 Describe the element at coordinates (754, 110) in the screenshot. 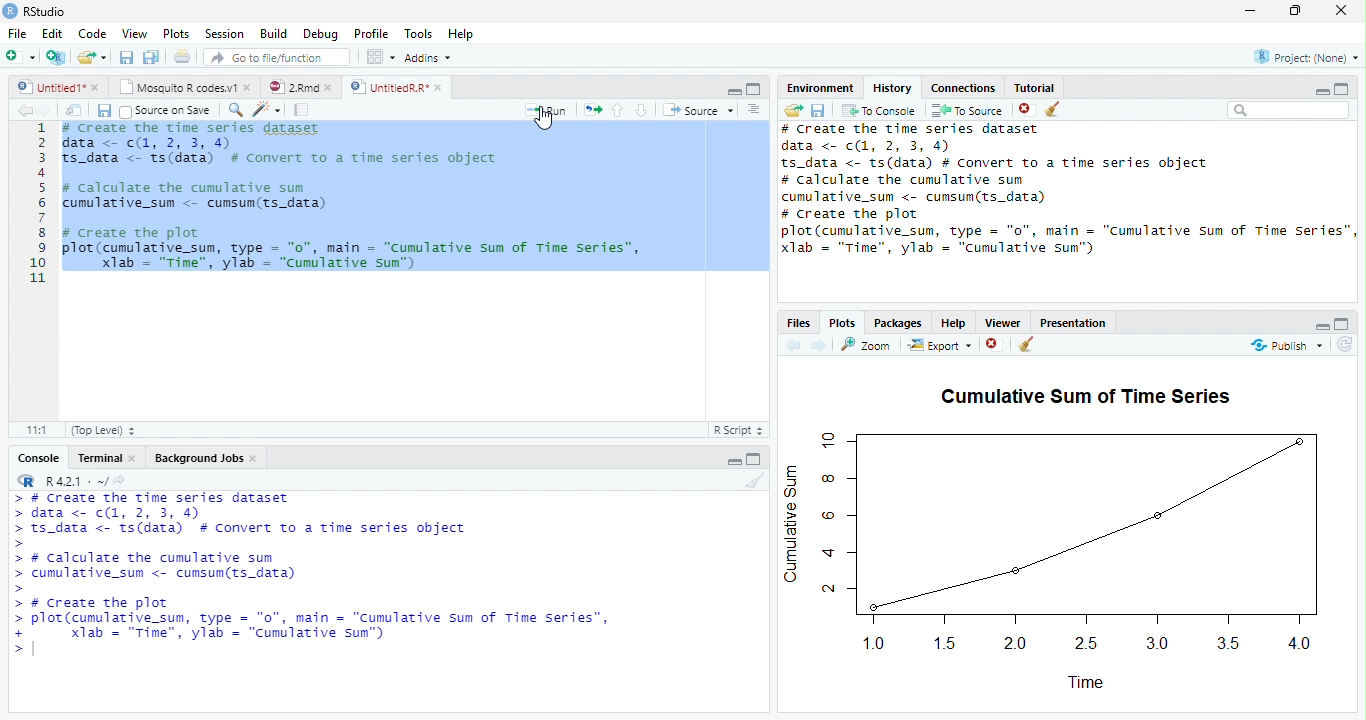

I see `Alignment` at that location.